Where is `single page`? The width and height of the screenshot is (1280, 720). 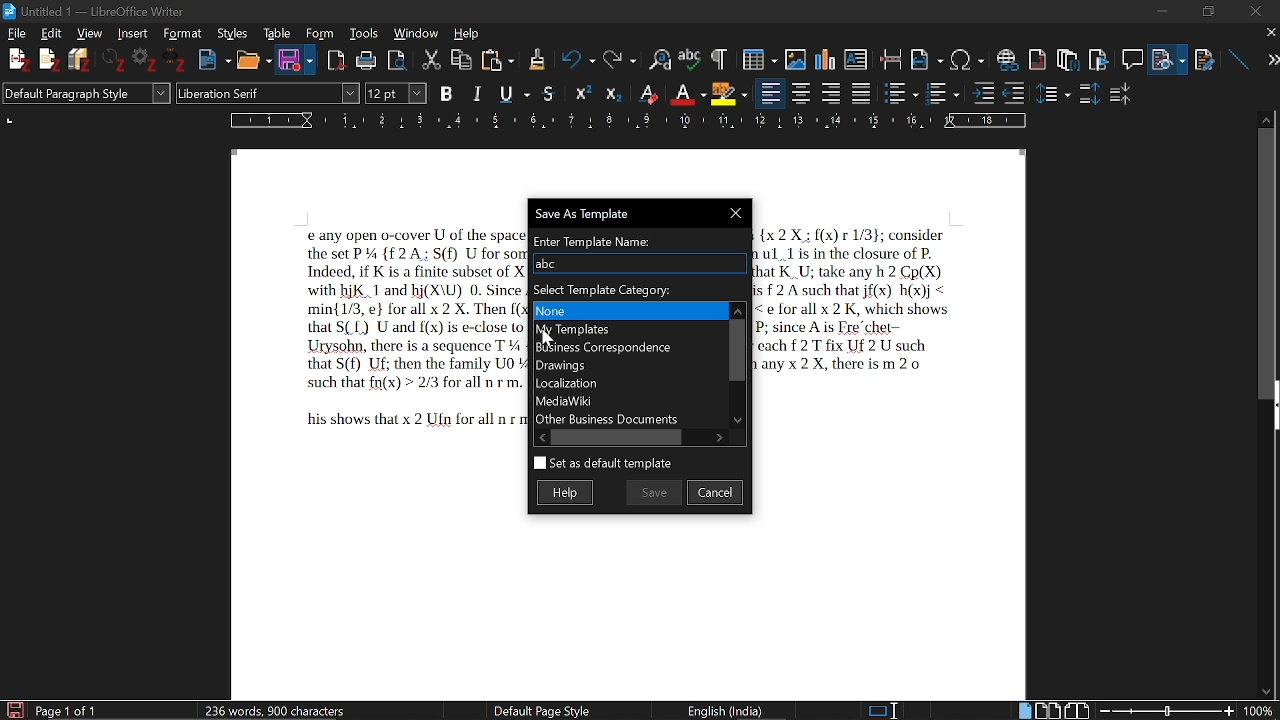 single page is located at coordinates (1025, 710).